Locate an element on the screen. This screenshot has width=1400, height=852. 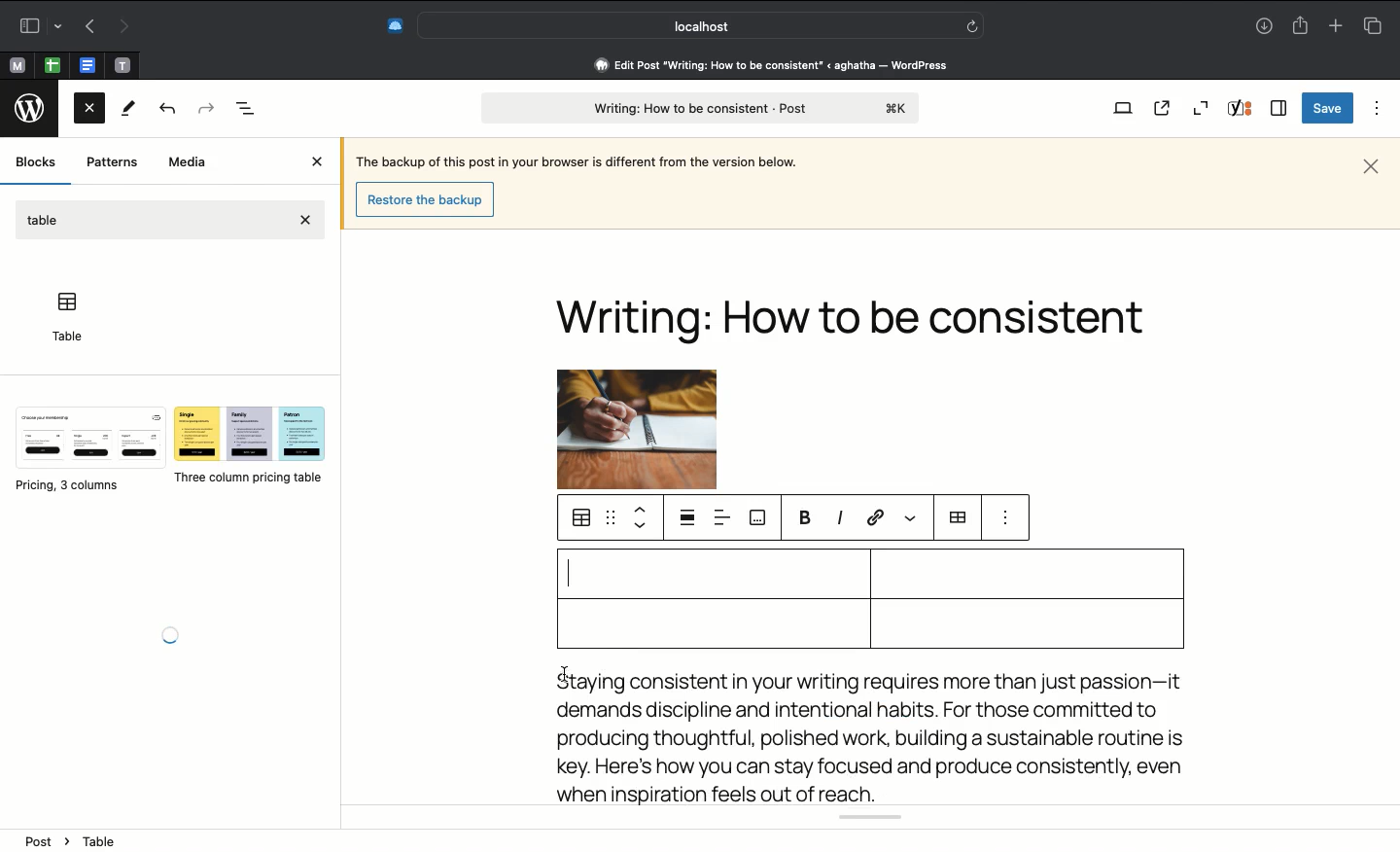
Close is located at coordinates (1371, 166).